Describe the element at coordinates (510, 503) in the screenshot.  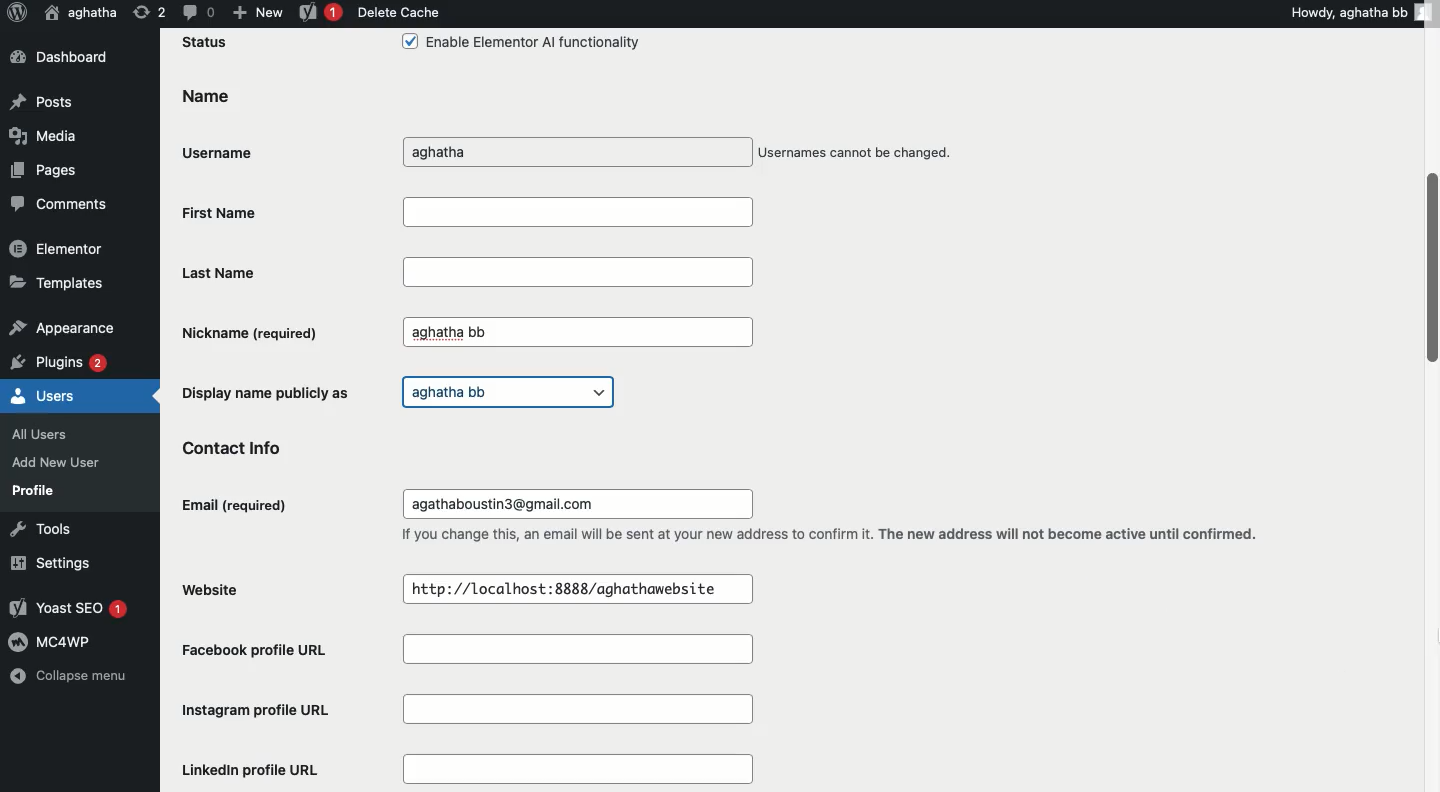
I see `agathaboustin3@gmail.com` at that location.